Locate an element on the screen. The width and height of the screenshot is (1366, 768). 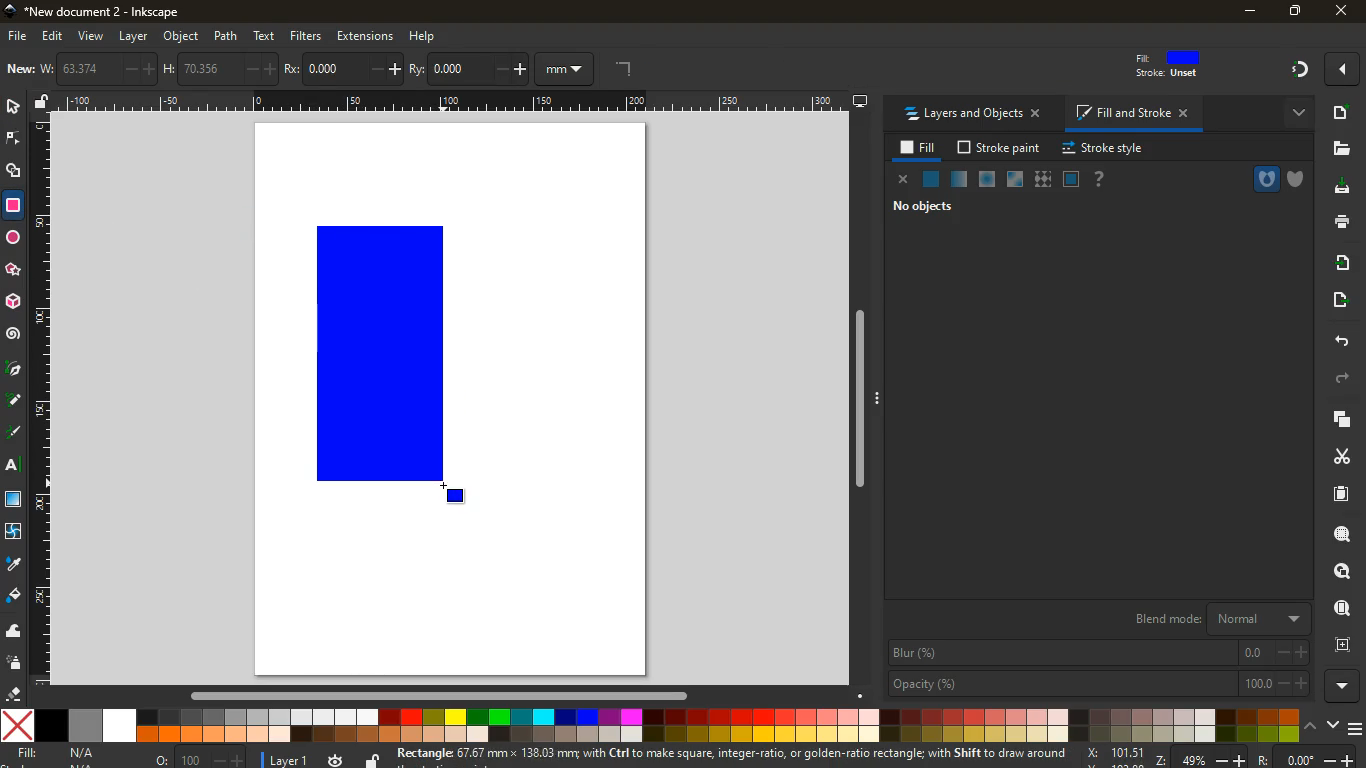
close is located at coordinates (905, 181).